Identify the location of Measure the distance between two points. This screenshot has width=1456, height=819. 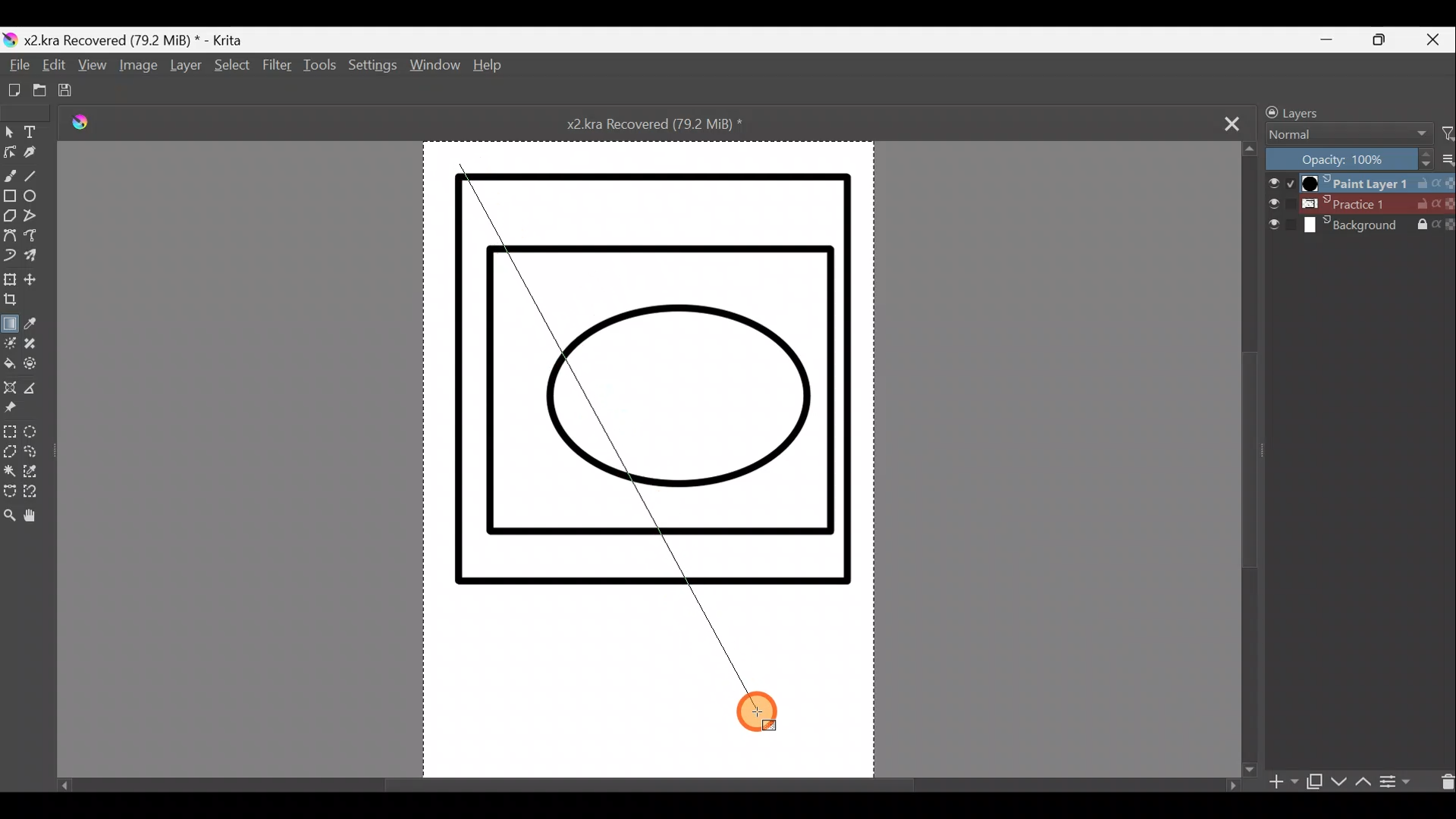
(37, 393).